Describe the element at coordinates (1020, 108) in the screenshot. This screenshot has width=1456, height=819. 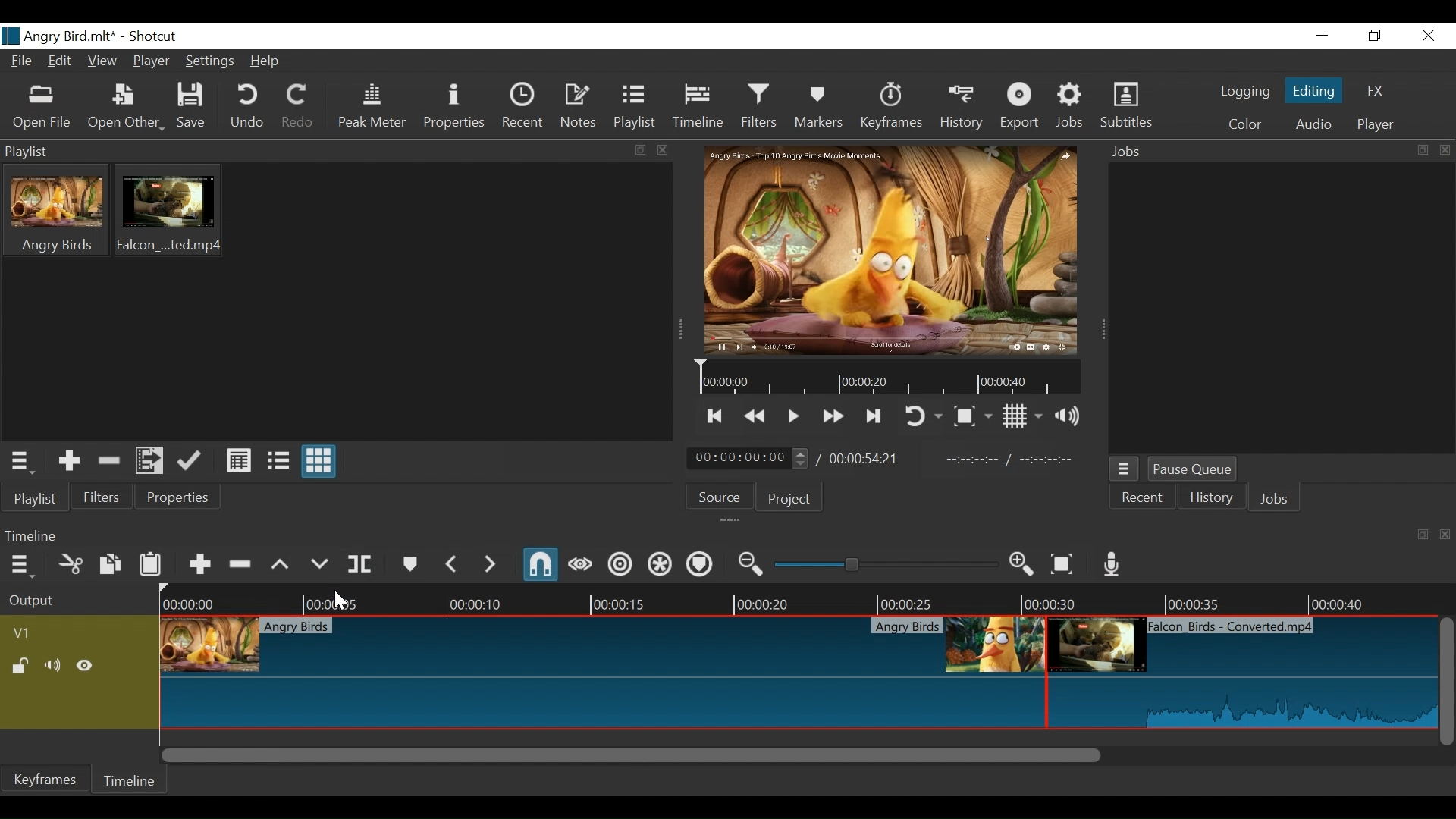
I see `Export` at that location.